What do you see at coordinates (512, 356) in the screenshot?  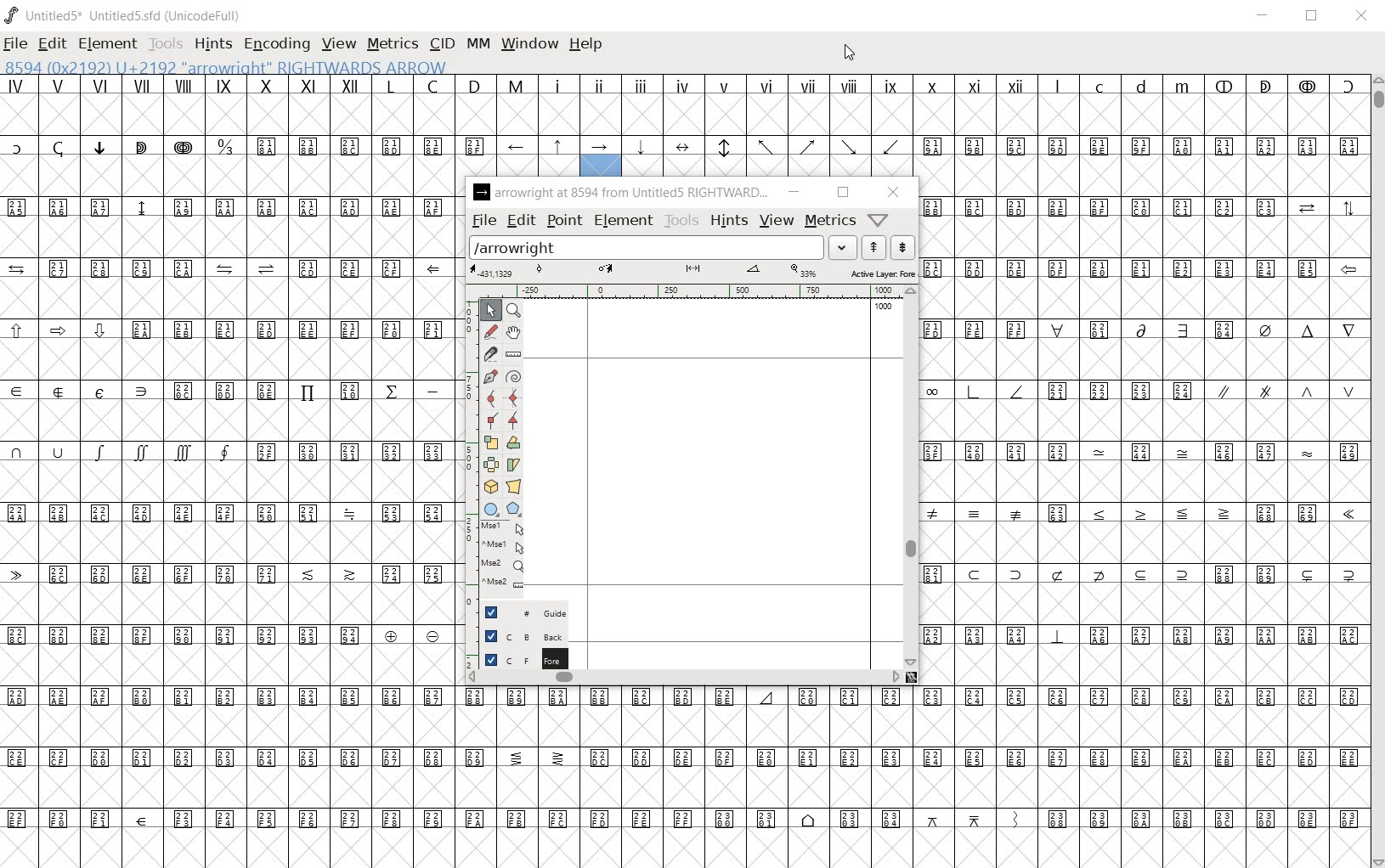 I see `measure a distance, angle between points` at bounding box center [512, 356].